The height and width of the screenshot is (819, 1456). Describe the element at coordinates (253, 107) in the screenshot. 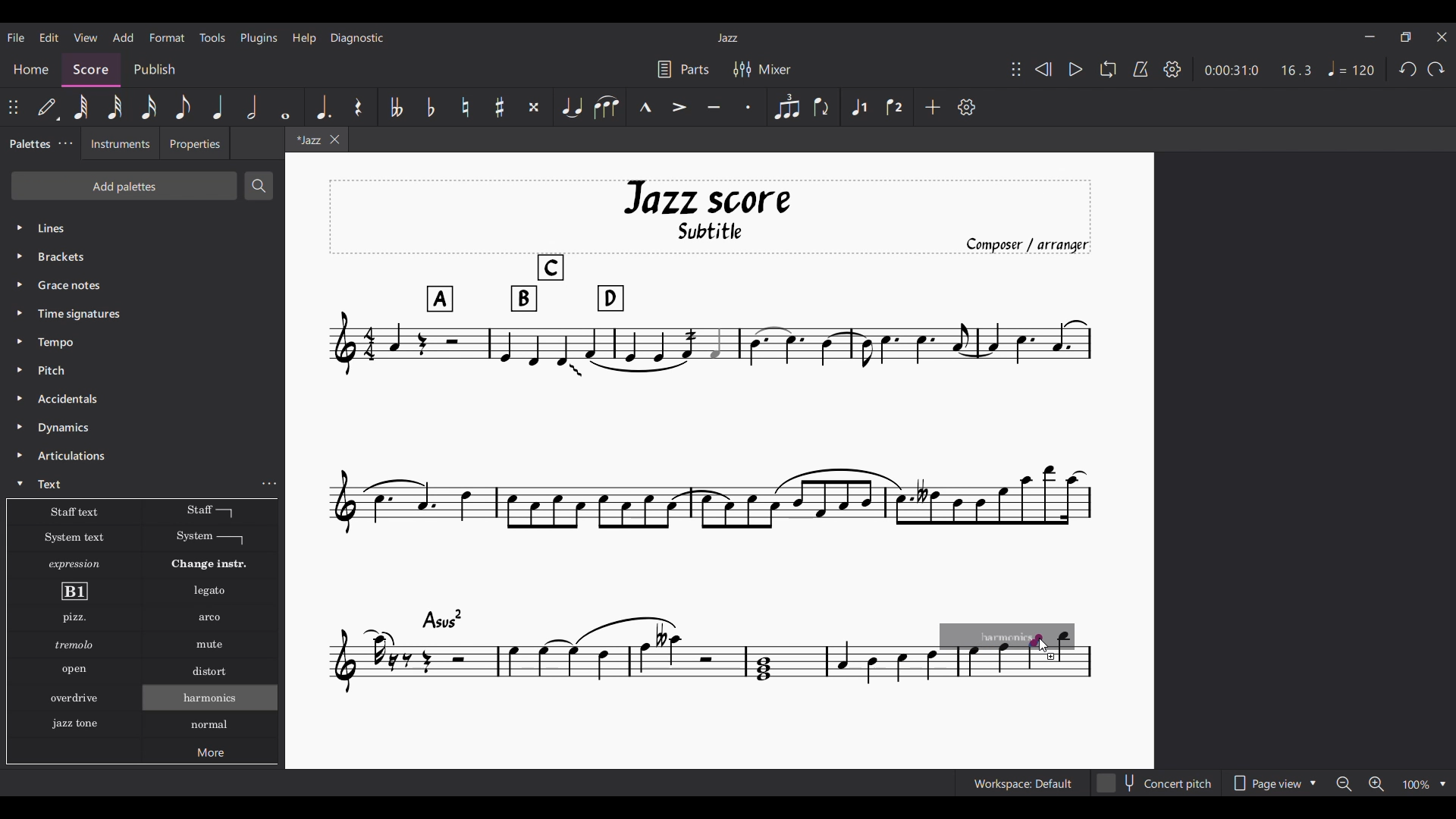

I see `Half note` at that location.